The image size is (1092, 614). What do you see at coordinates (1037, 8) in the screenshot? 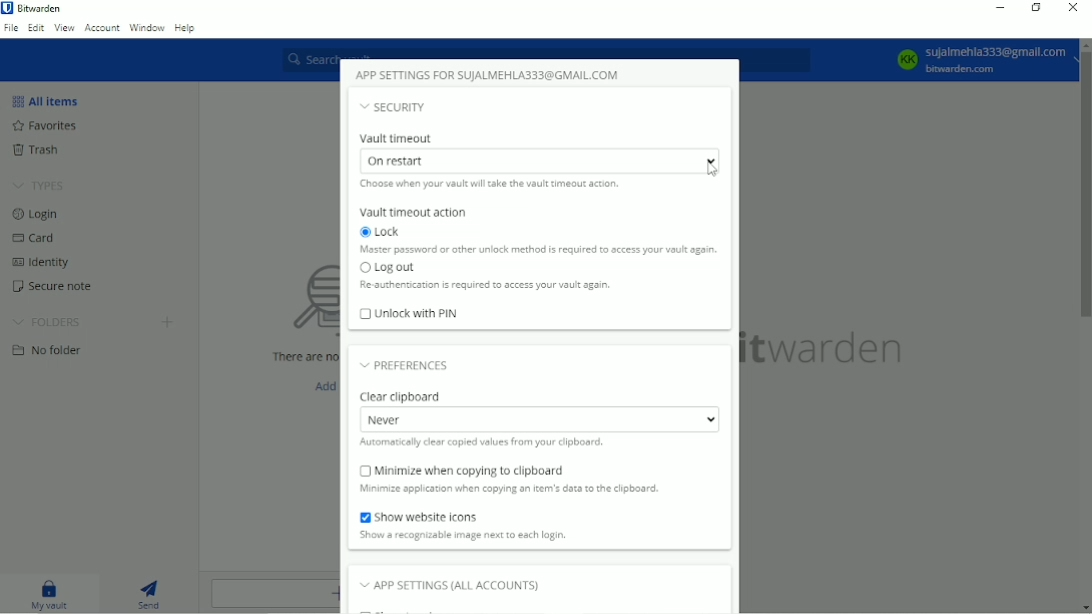
I see `Resize` at bounding box center [1037, 8].